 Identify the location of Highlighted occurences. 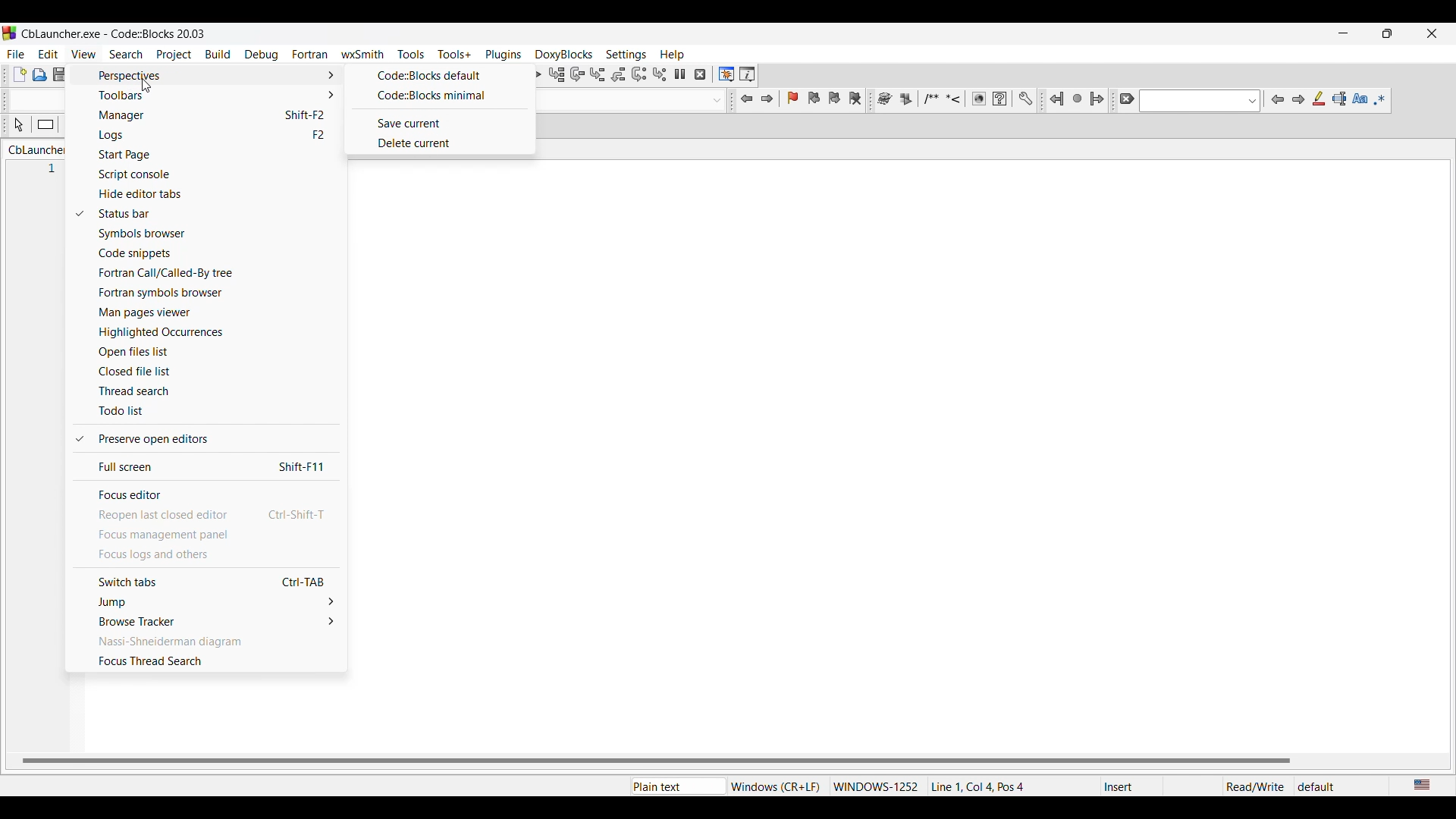
(216, 332).